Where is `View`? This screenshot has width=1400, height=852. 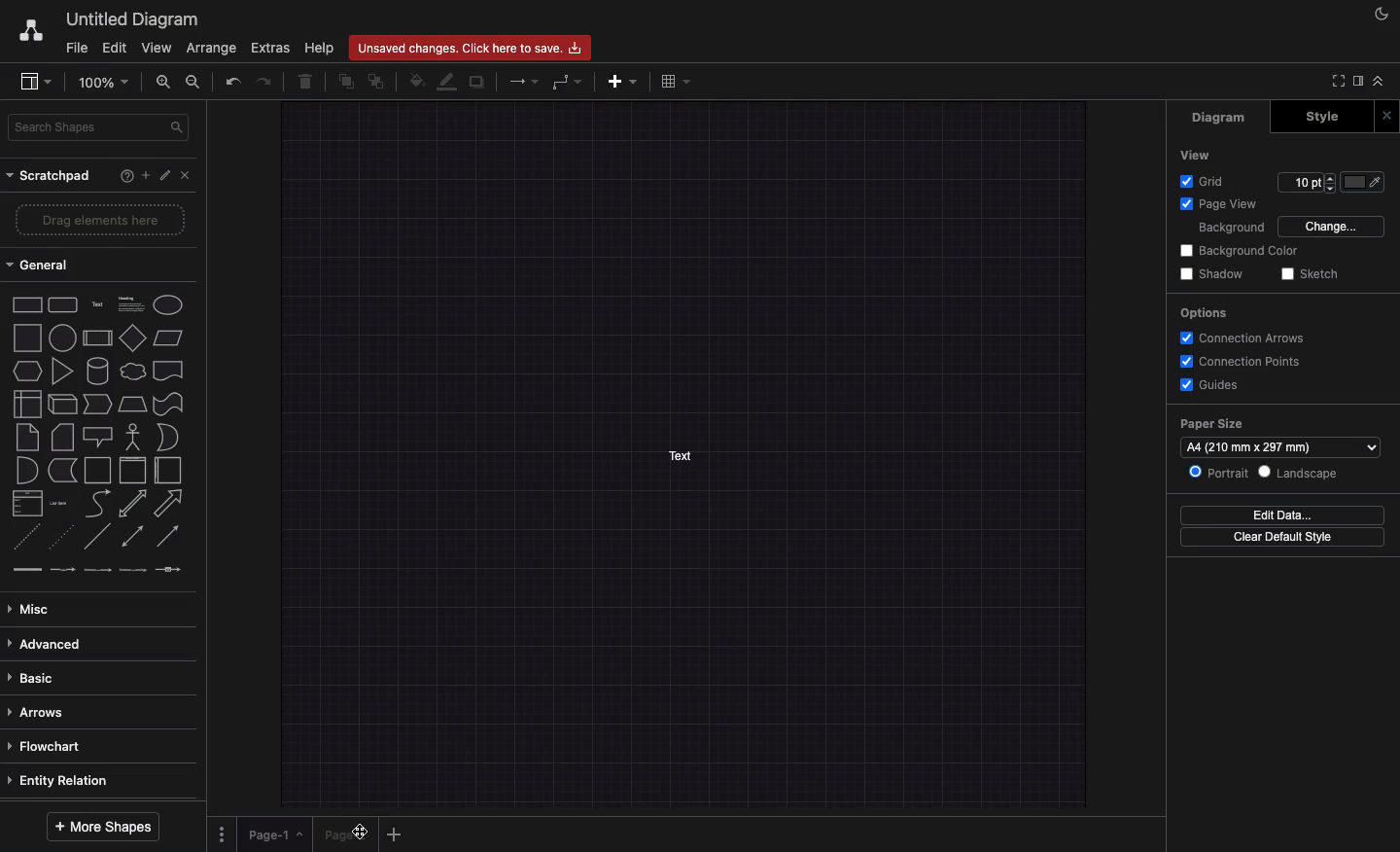
View is located at coordinates (1197, 155).